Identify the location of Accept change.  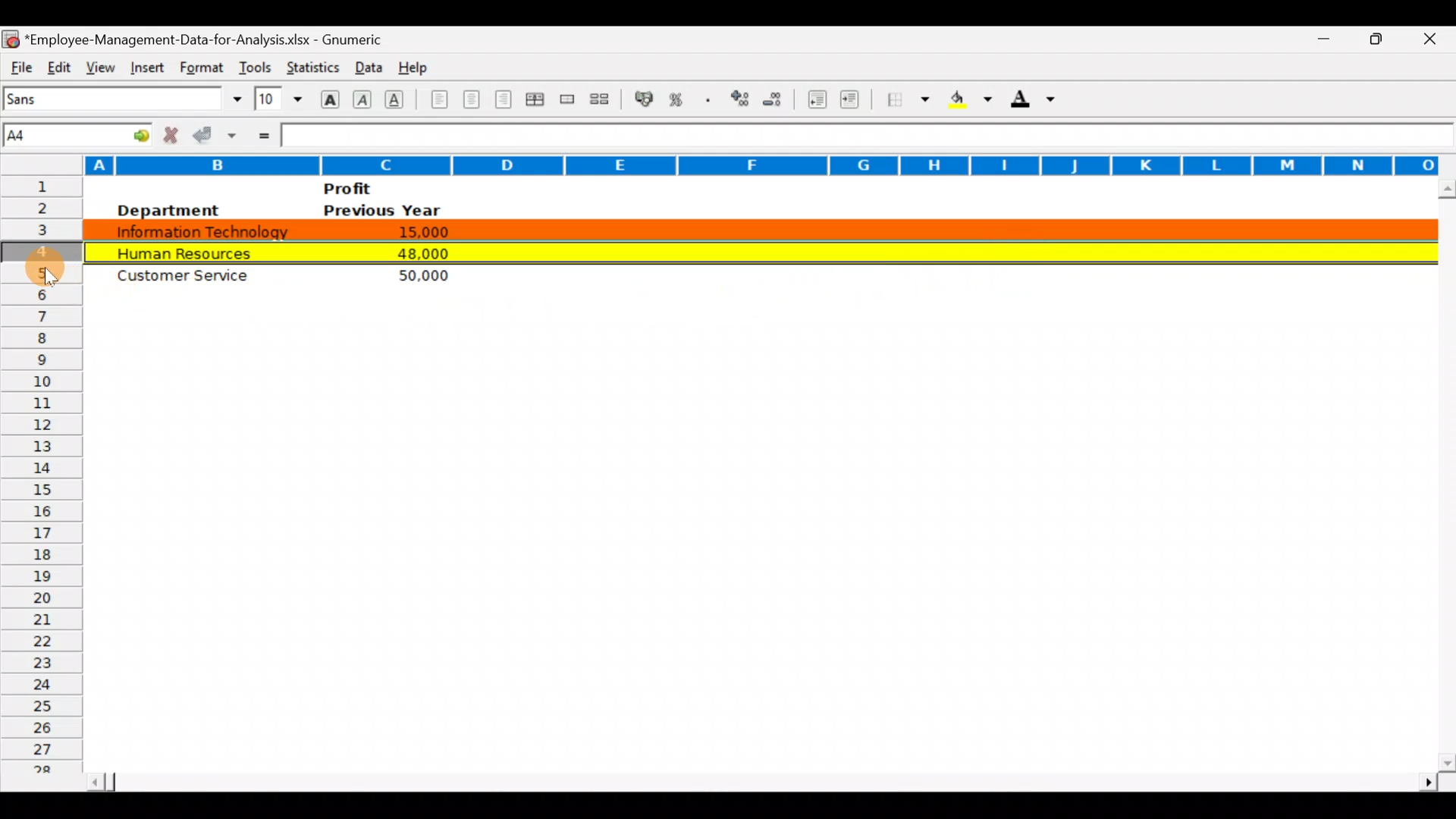
(217, 134).